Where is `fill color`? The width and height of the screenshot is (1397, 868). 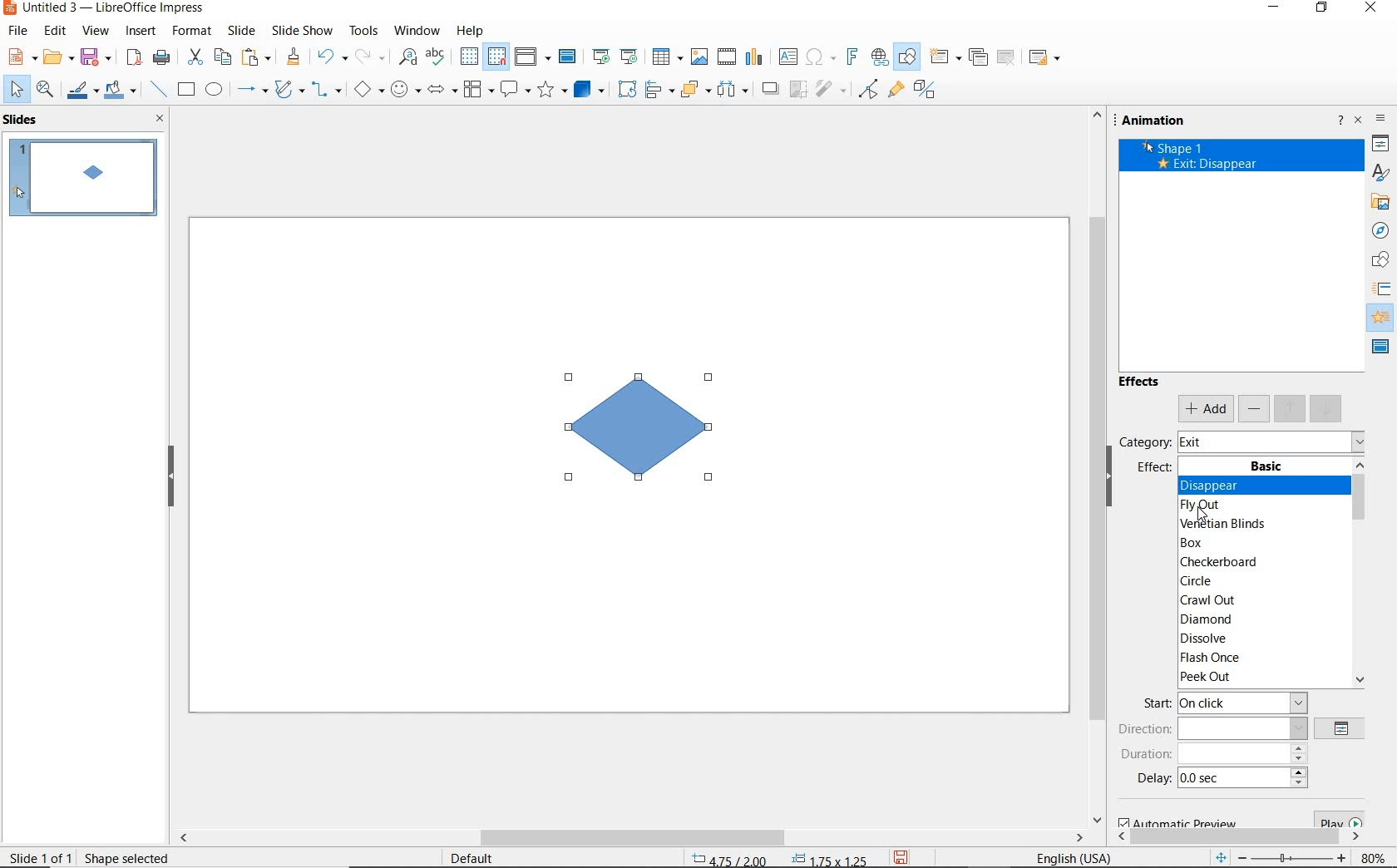 fill color is located at coordinates (121, 91).